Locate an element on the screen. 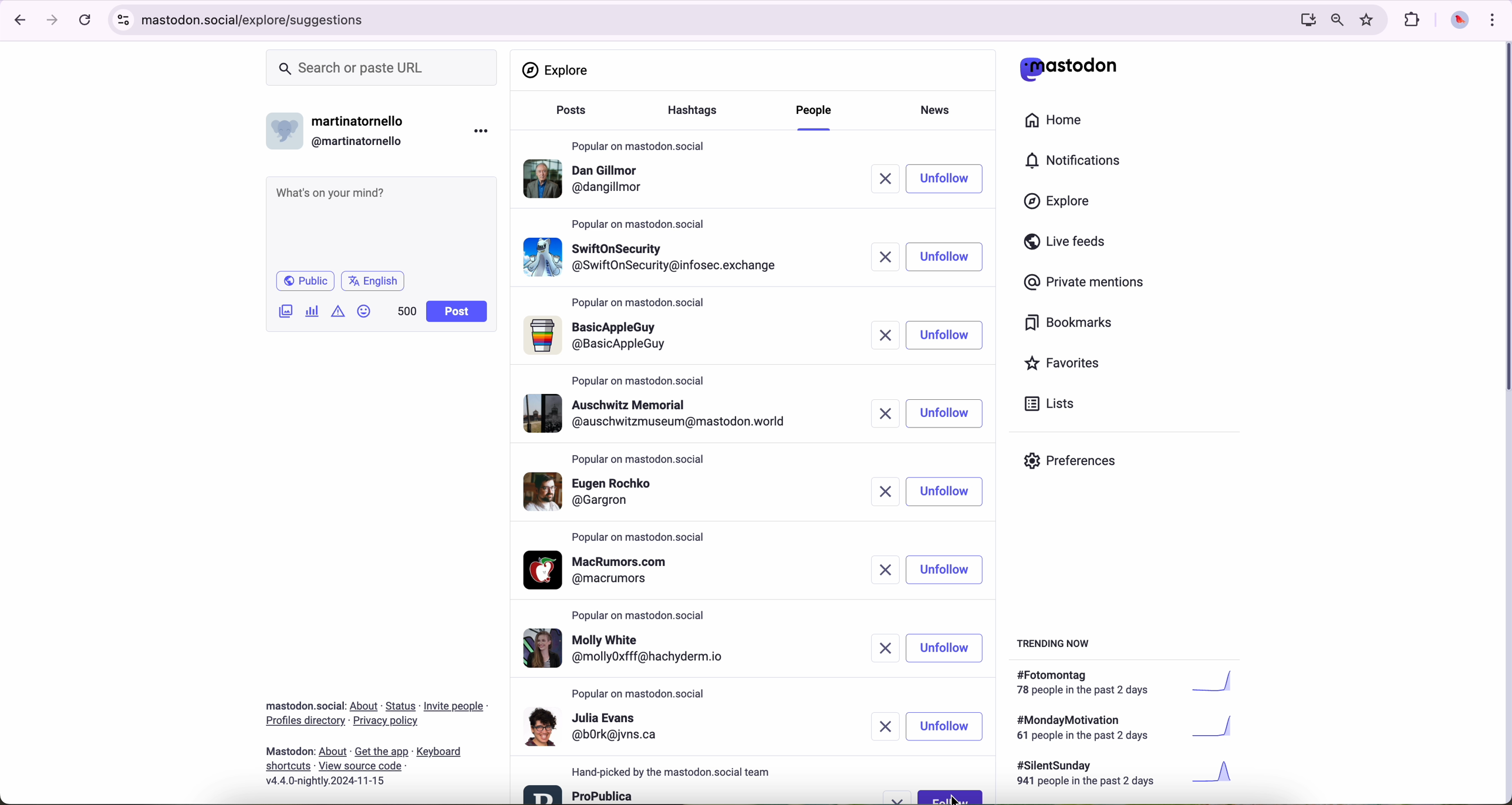 The image size is (1512, 805). unfollow is located at coordinates (947, 570).